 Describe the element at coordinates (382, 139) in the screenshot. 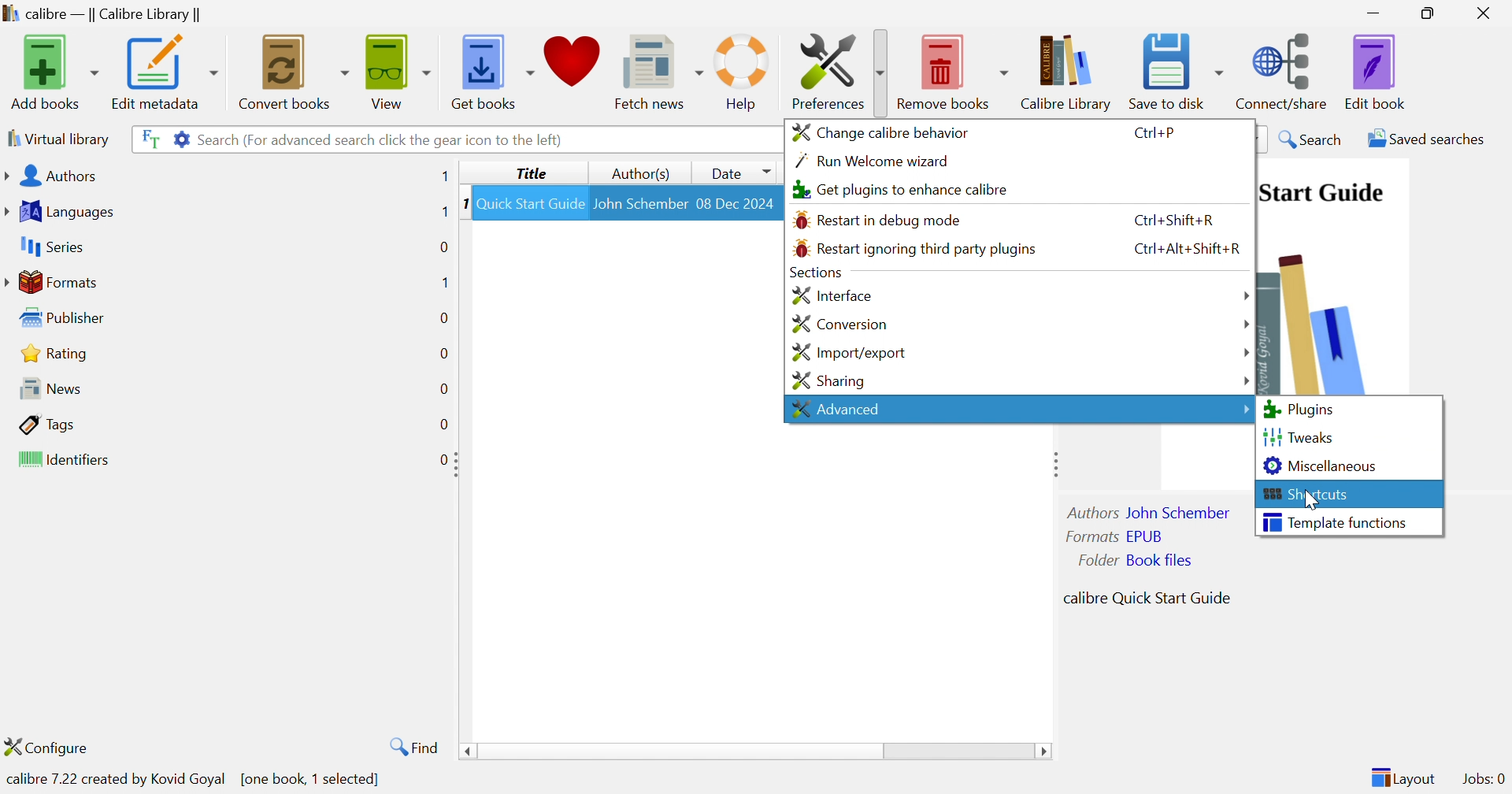

I see `Search (For advanced search click the gear icon on the left)` at that location.